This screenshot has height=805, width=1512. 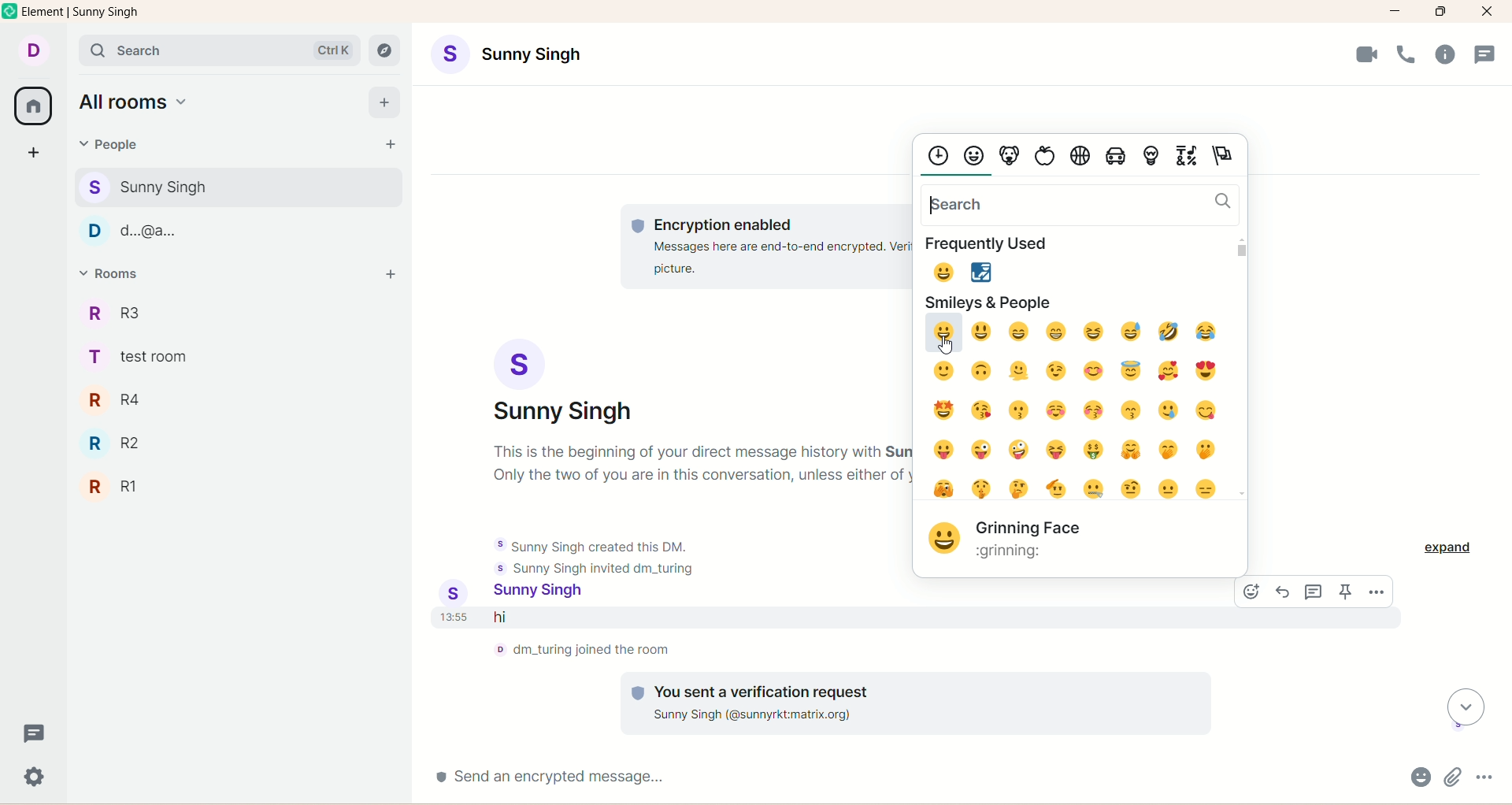 I want to click on account, so click(x=547, y=593).